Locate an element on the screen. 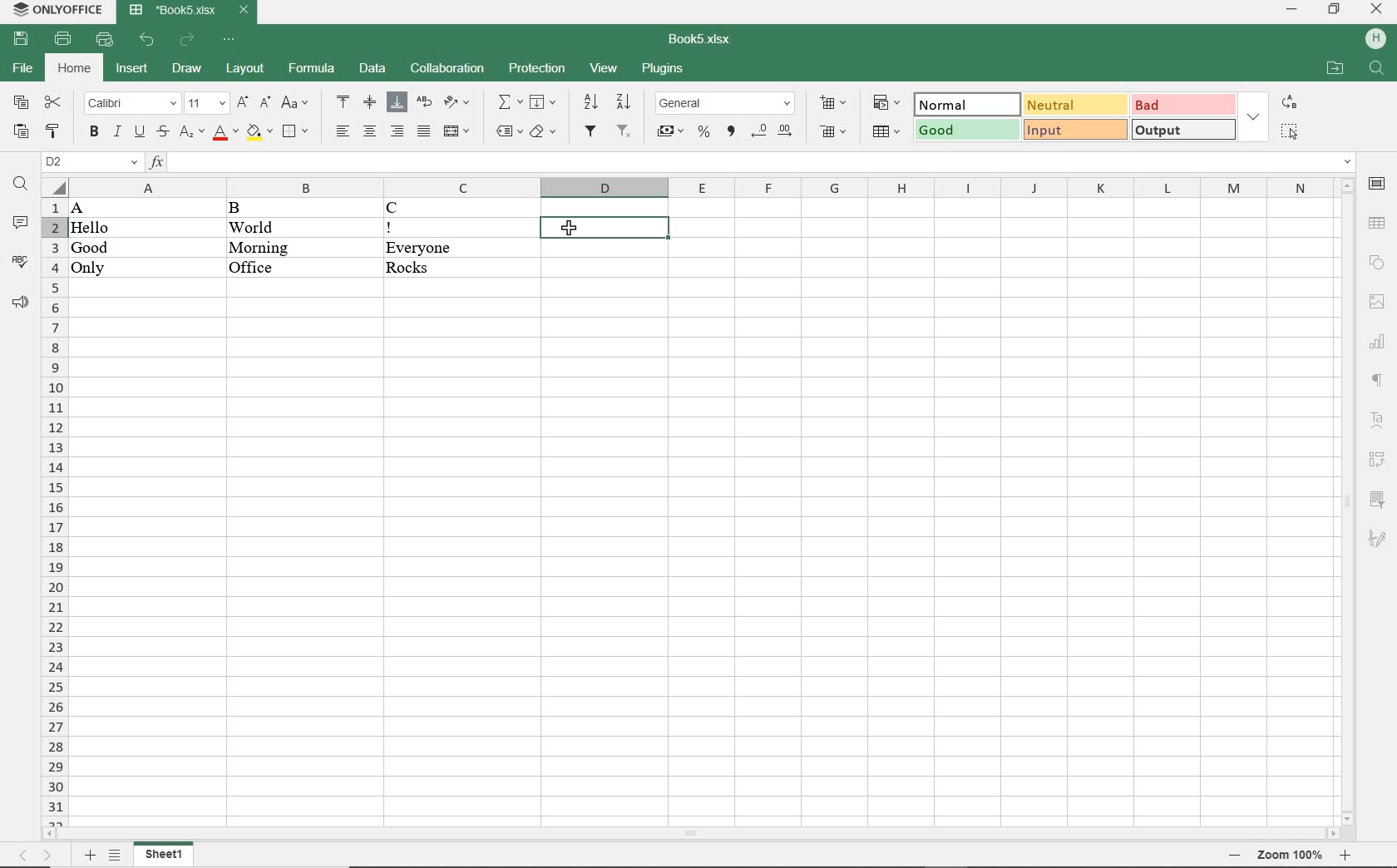  LIST SHEETS is located at coordinates (116, 855).